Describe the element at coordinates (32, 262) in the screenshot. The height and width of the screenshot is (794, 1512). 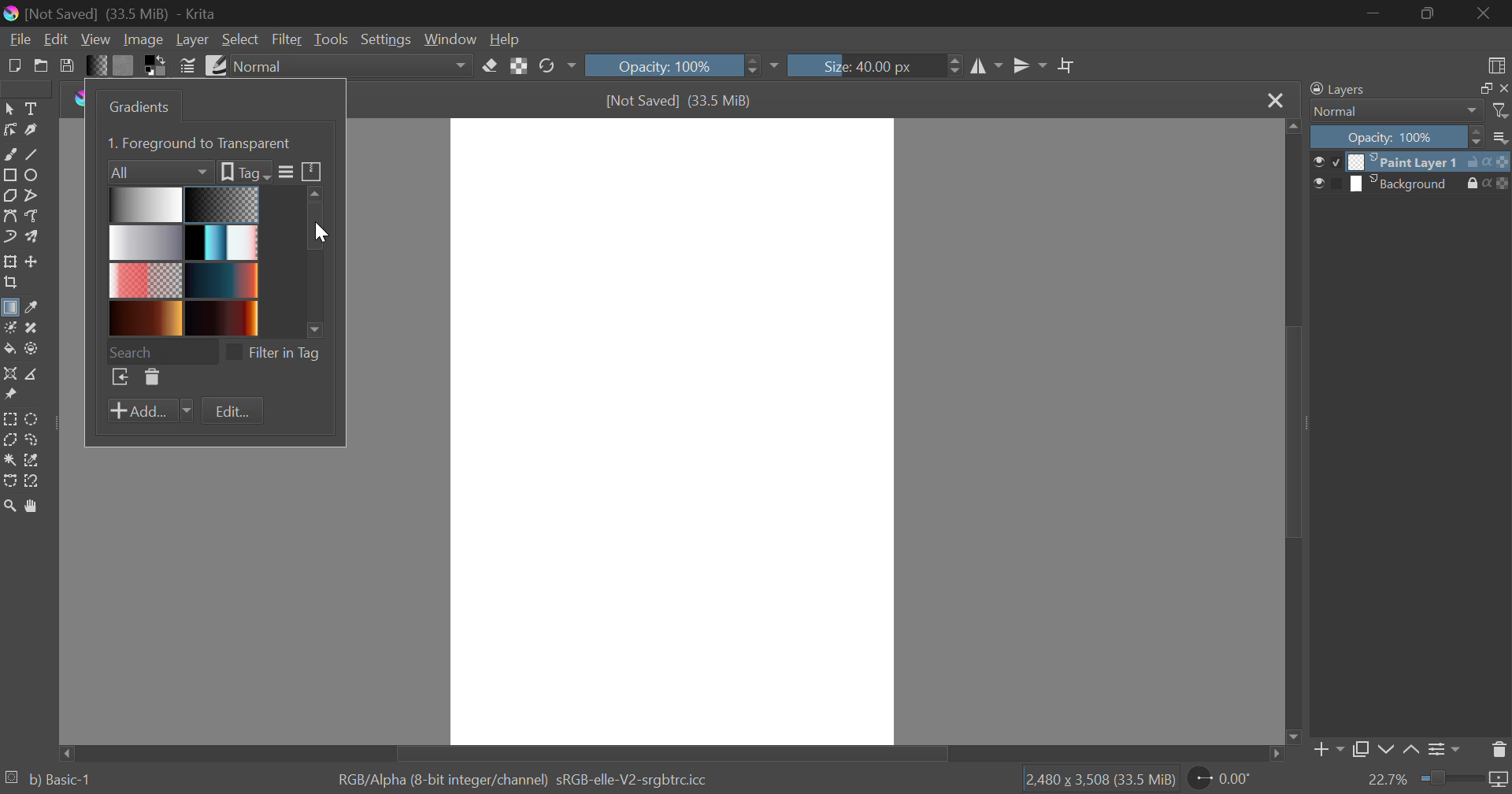
I see `Move Layer` at that location.